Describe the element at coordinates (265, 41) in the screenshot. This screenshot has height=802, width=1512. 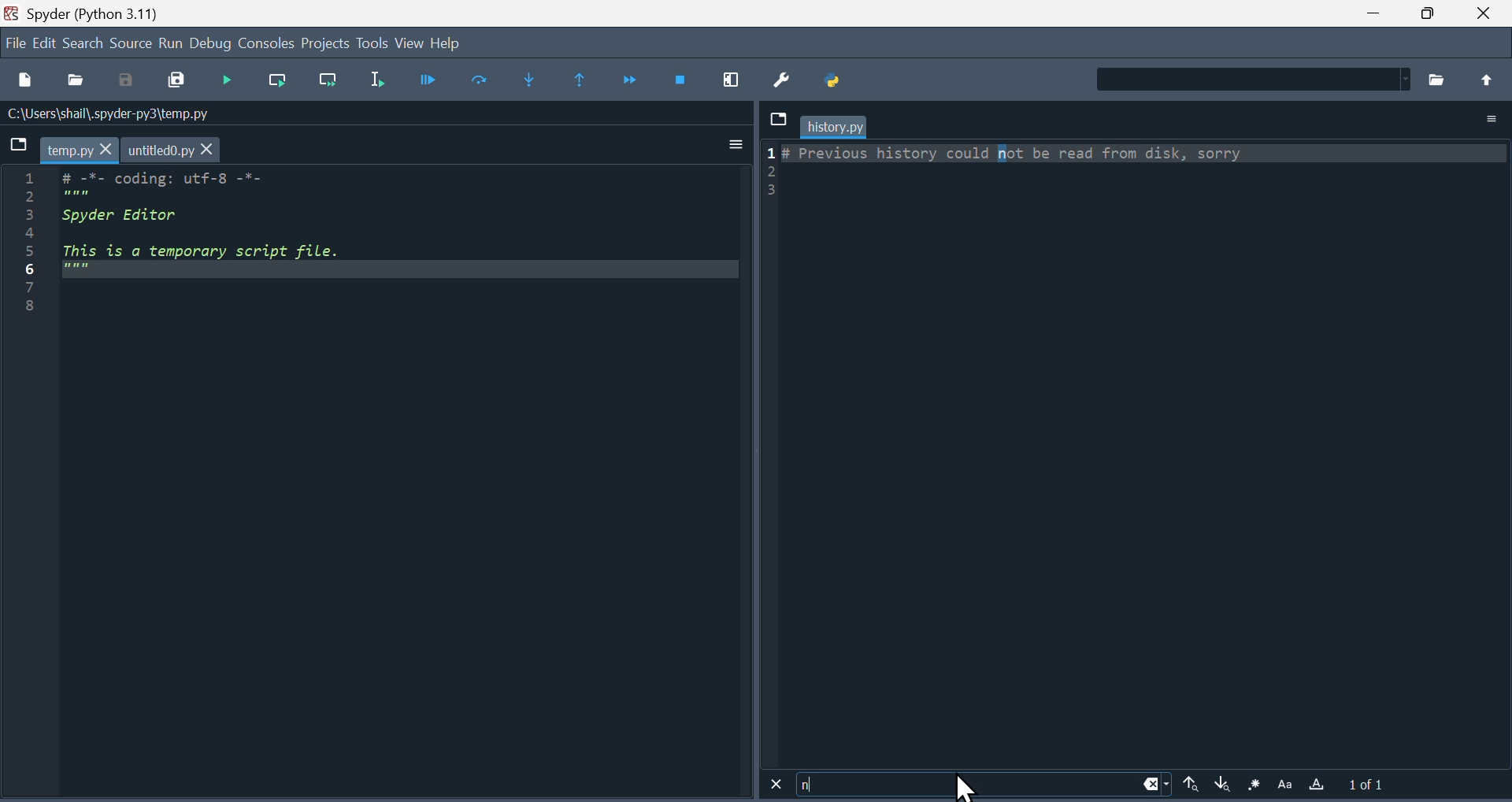
I see `Console` at that location.